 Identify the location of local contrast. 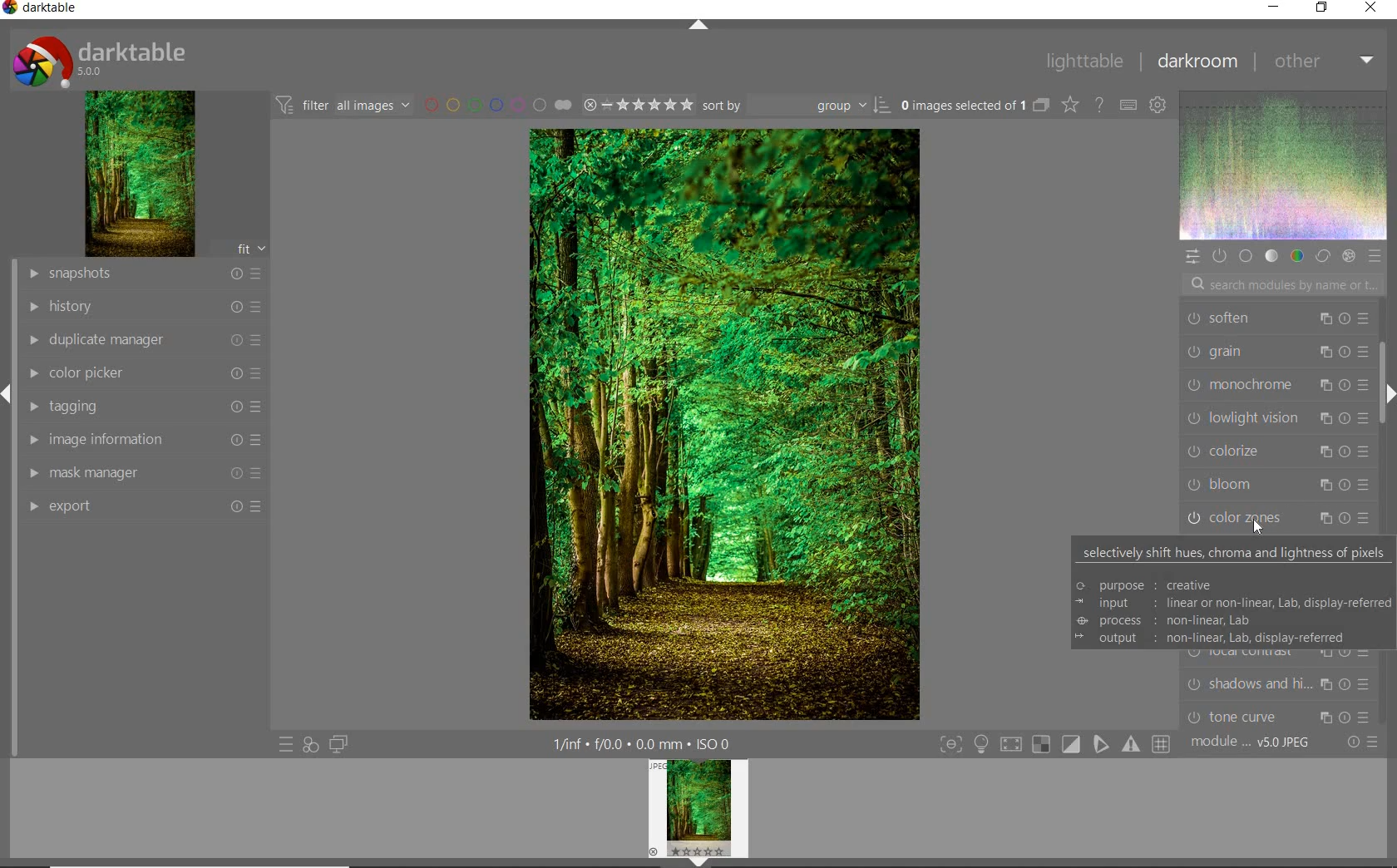
(1281, 655).